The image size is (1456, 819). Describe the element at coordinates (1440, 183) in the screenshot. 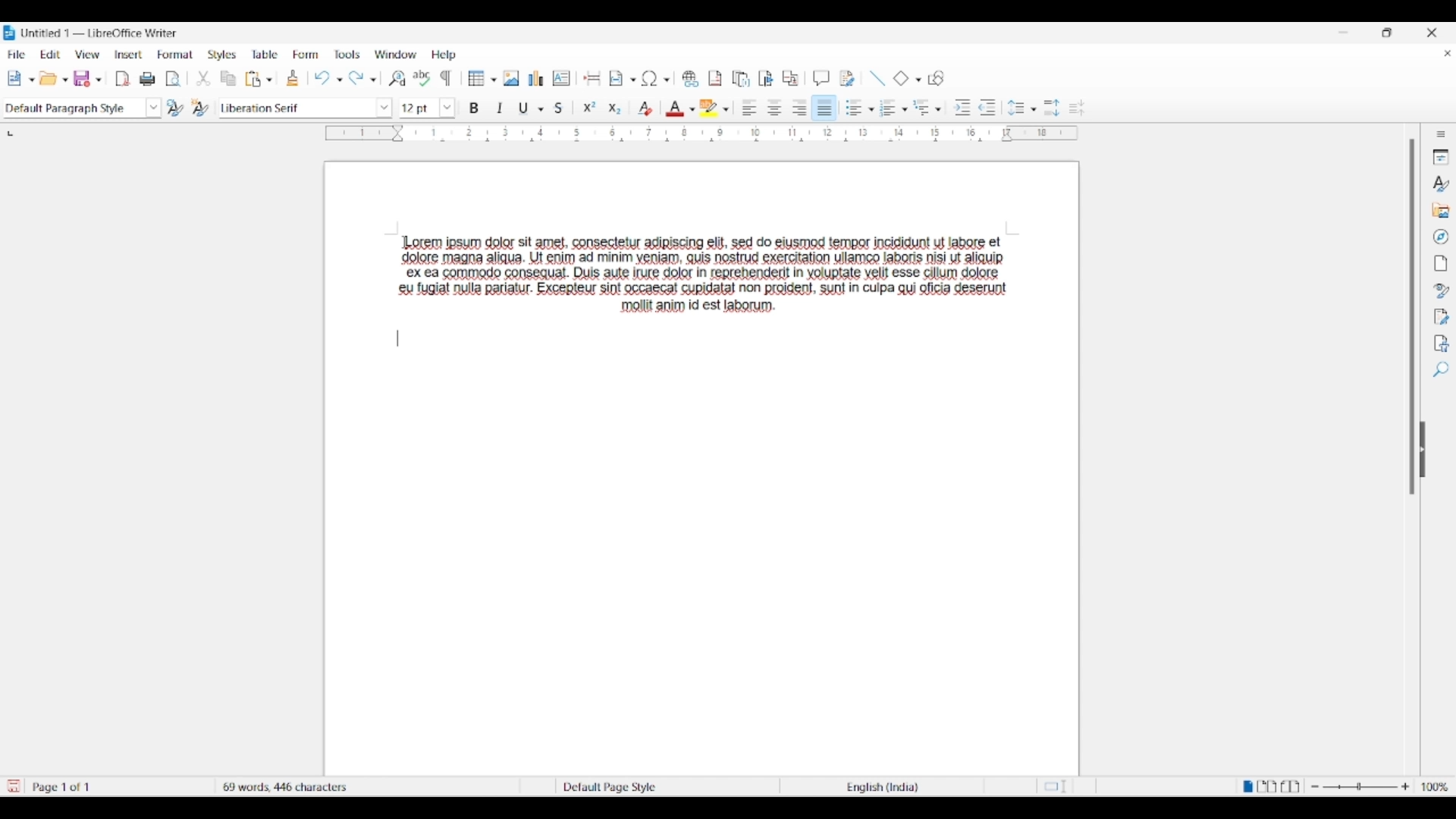

I see `Styles` at that location.